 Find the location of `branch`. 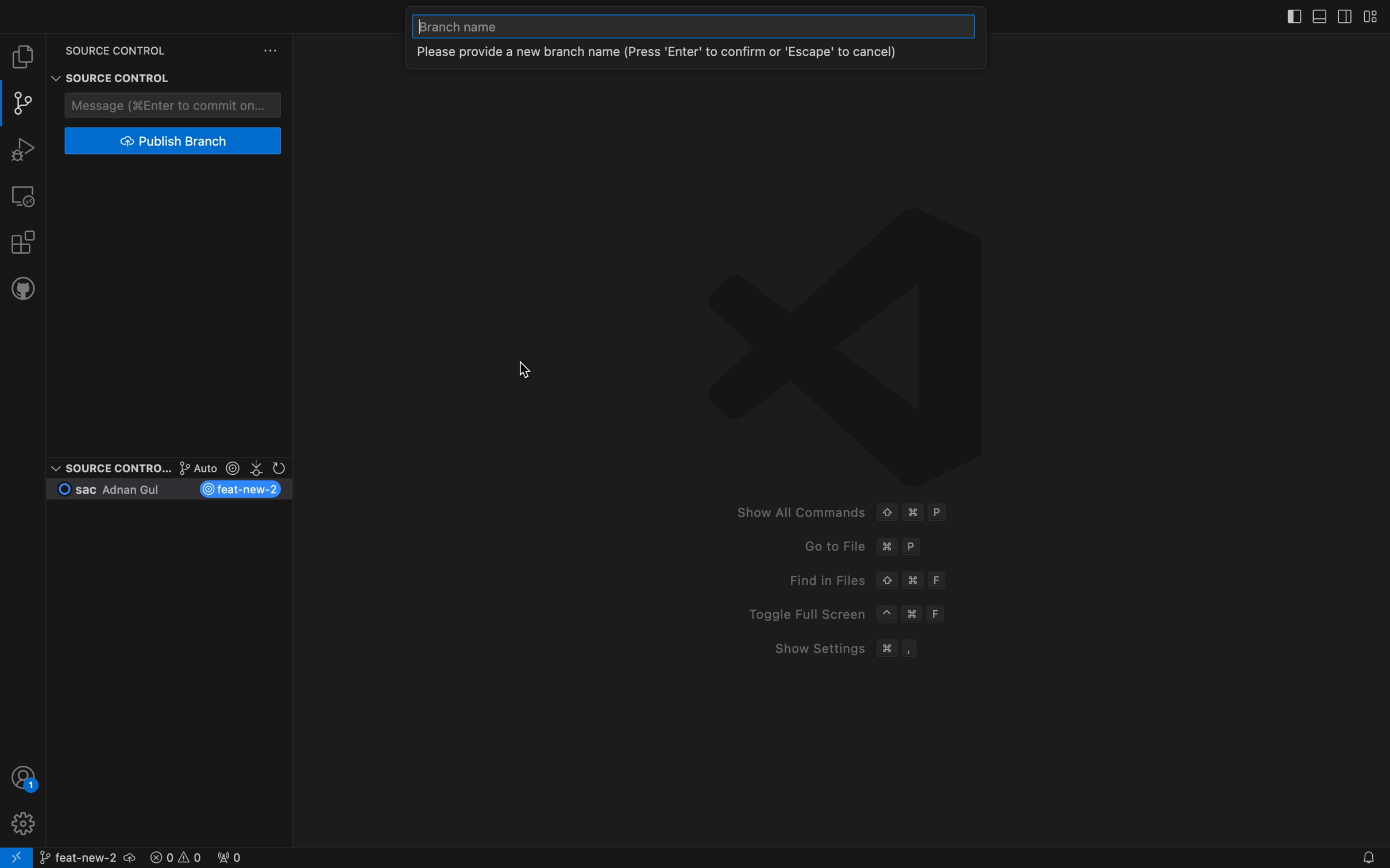

branch is located at coordinates (94, 855).